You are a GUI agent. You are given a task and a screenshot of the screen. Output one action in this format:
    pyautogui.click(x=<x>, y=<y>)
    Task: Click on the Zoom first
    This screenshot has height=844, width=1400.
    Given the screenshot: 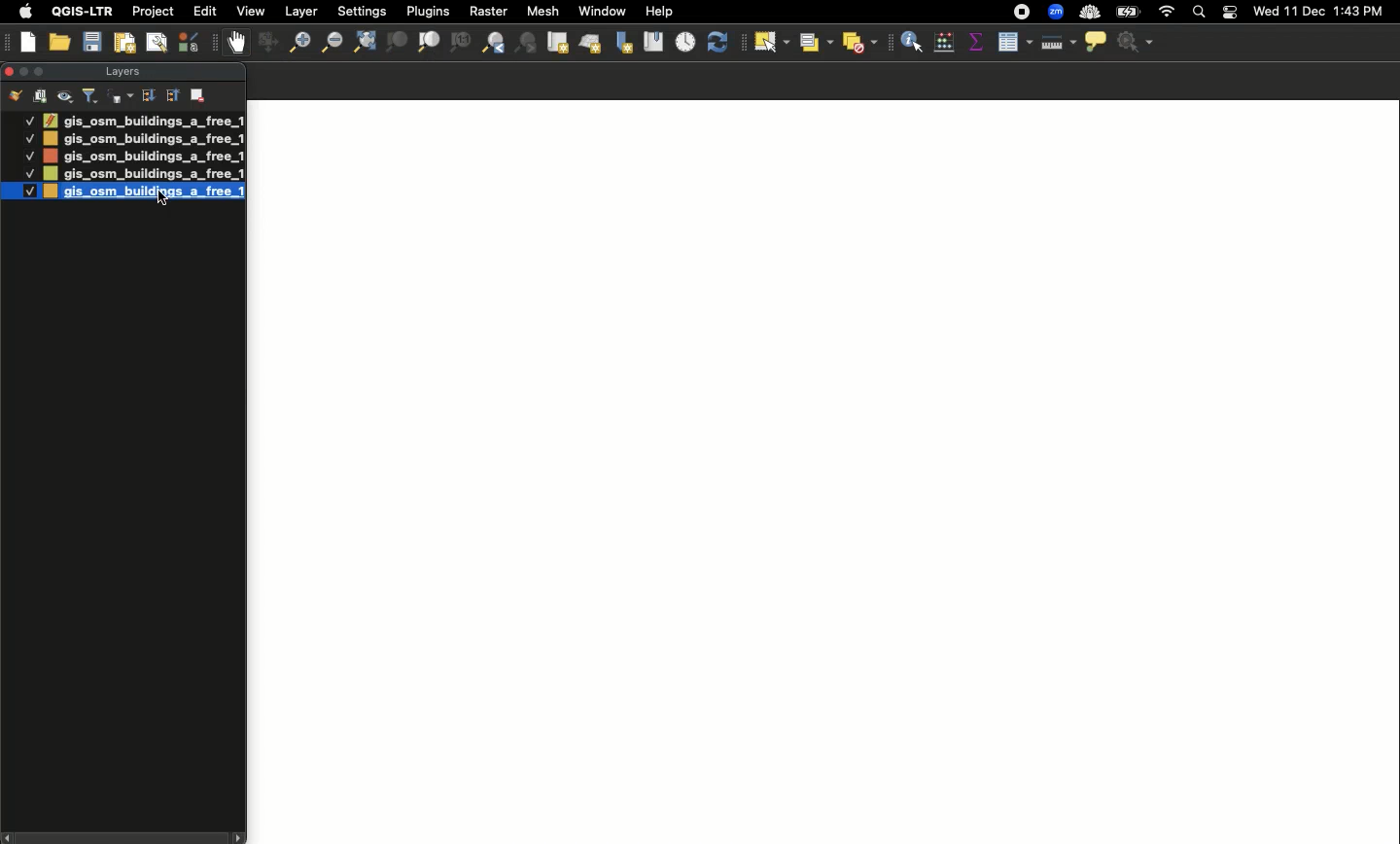 What is the action you would take?
    pyautogui.click(x=527, y=44)
    